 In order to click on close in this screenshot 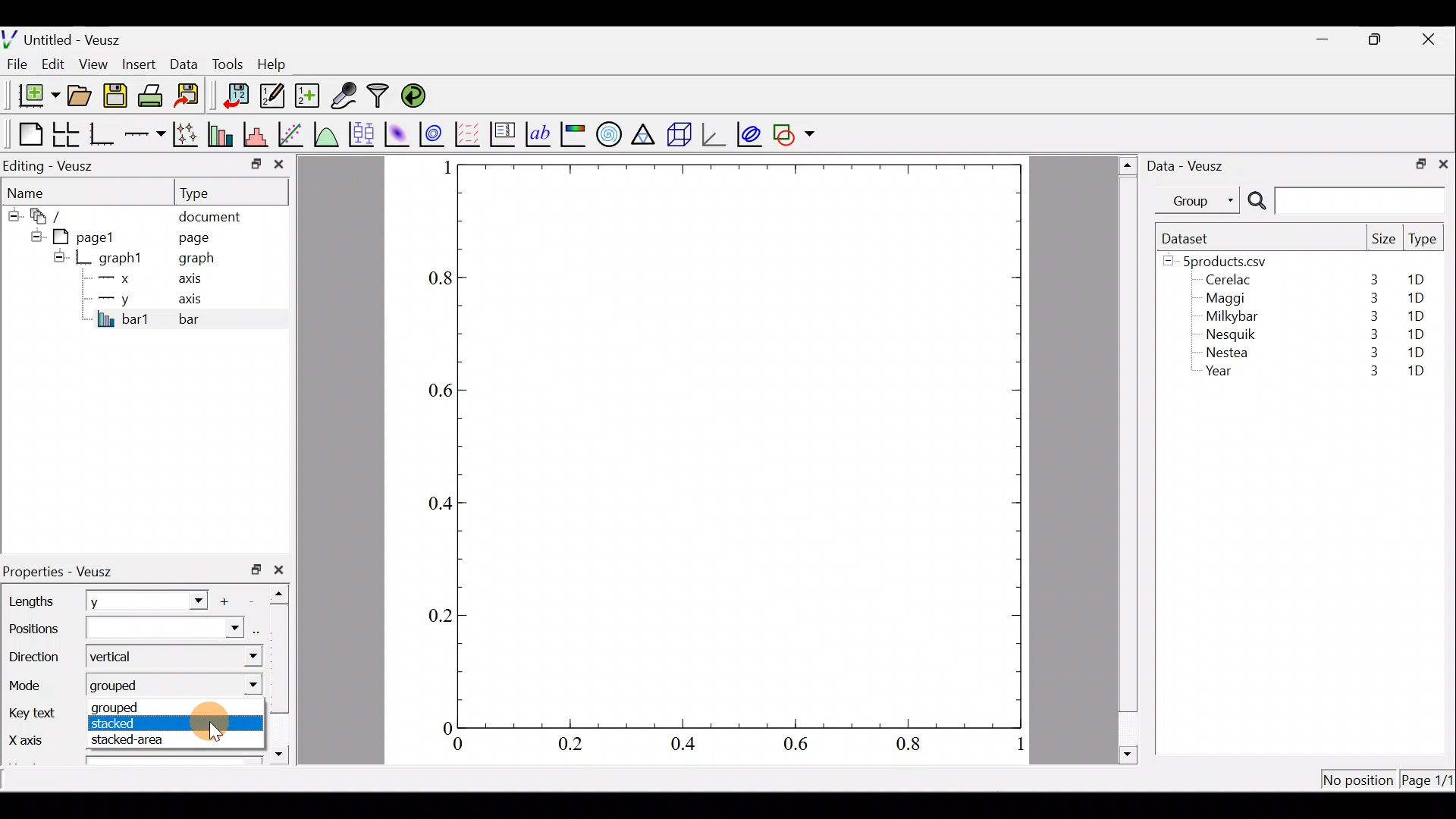, I will do `click(1430, 39)`.